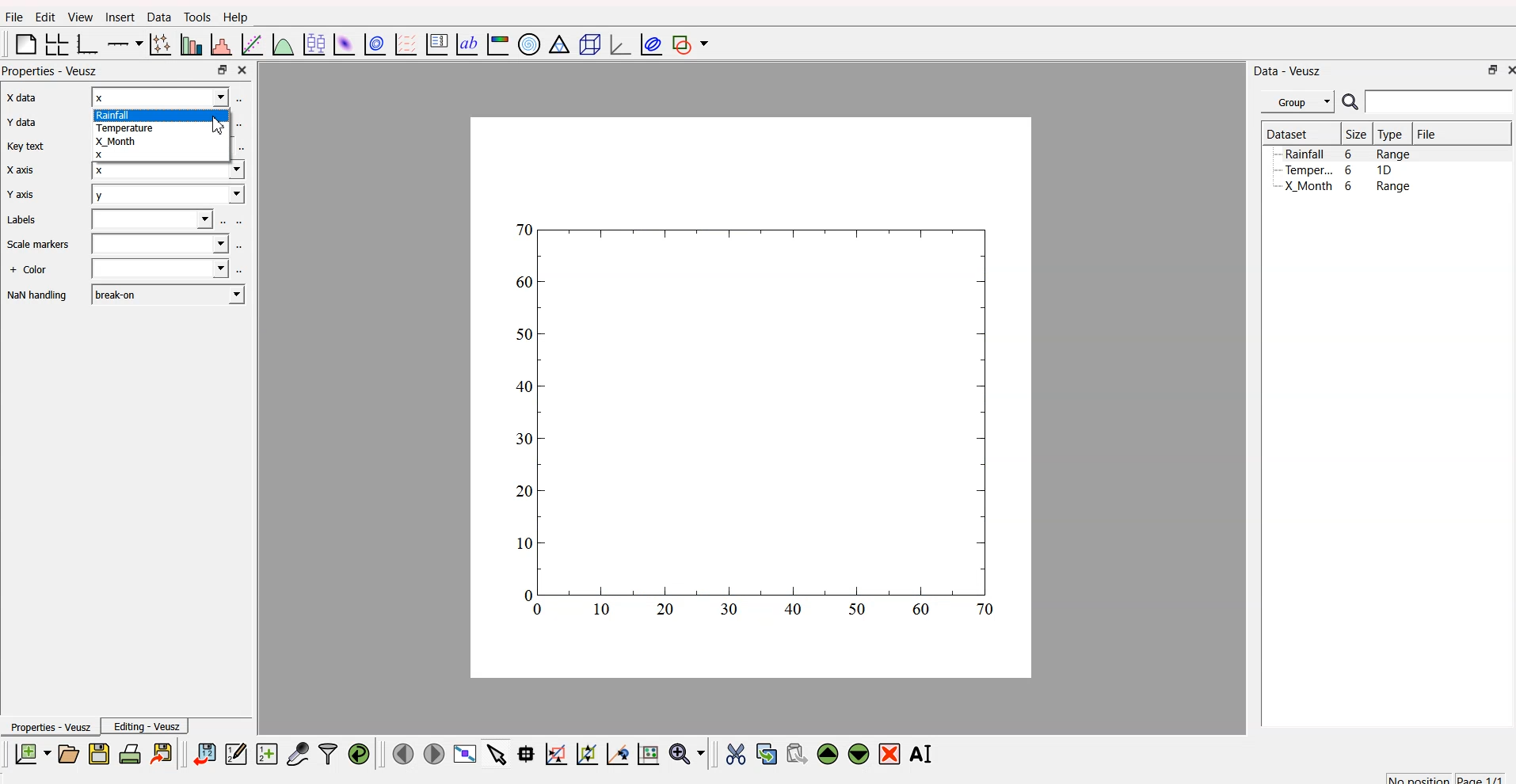 The image size is (1516, 784). What do you see at coordinates (196, 16) in the screenshot?
I see `Tools` at bounding box center [196, 16].